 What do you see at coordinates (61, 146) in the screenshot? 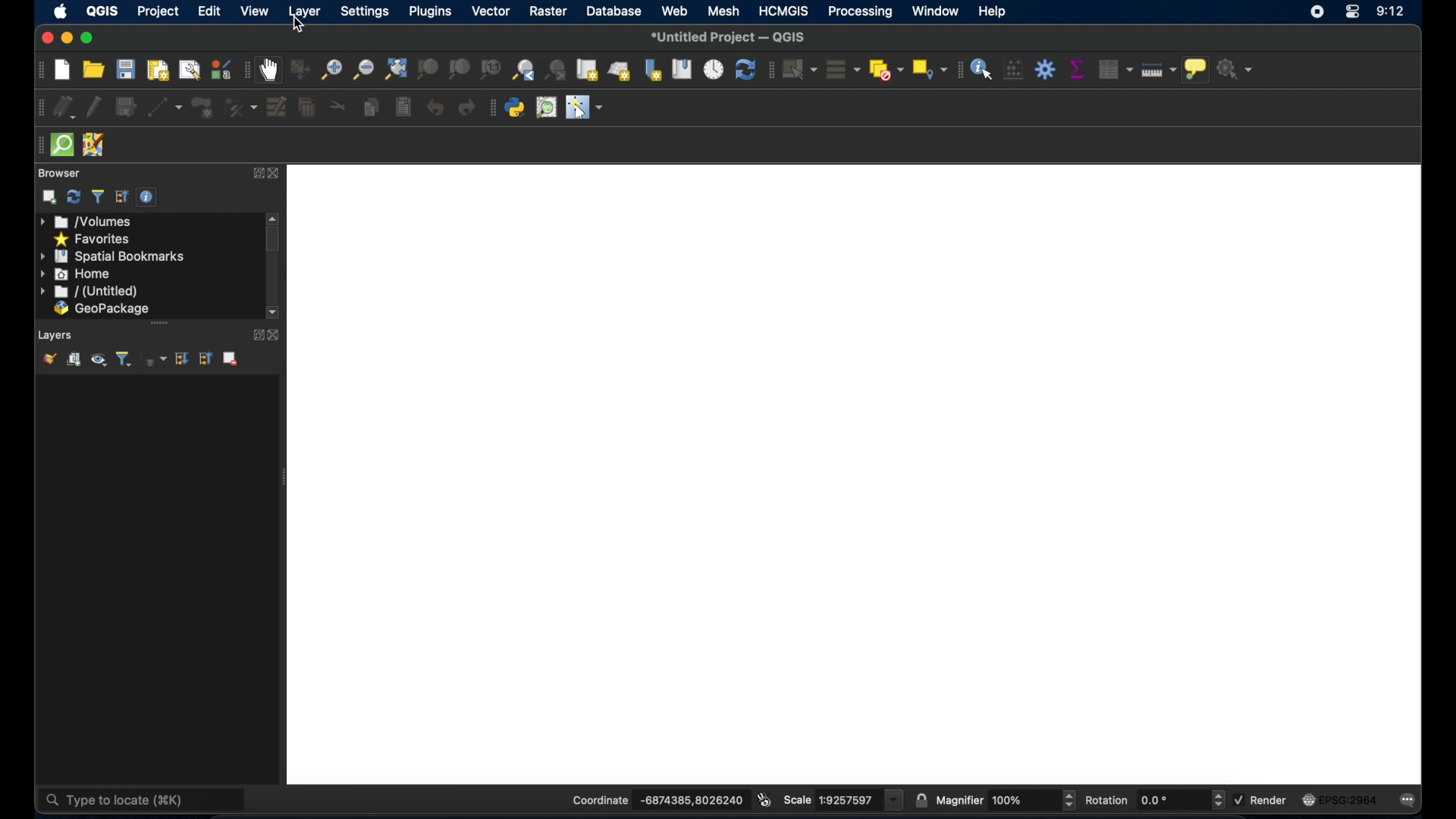
I see `quicksom` at bounding box center [61, 146].